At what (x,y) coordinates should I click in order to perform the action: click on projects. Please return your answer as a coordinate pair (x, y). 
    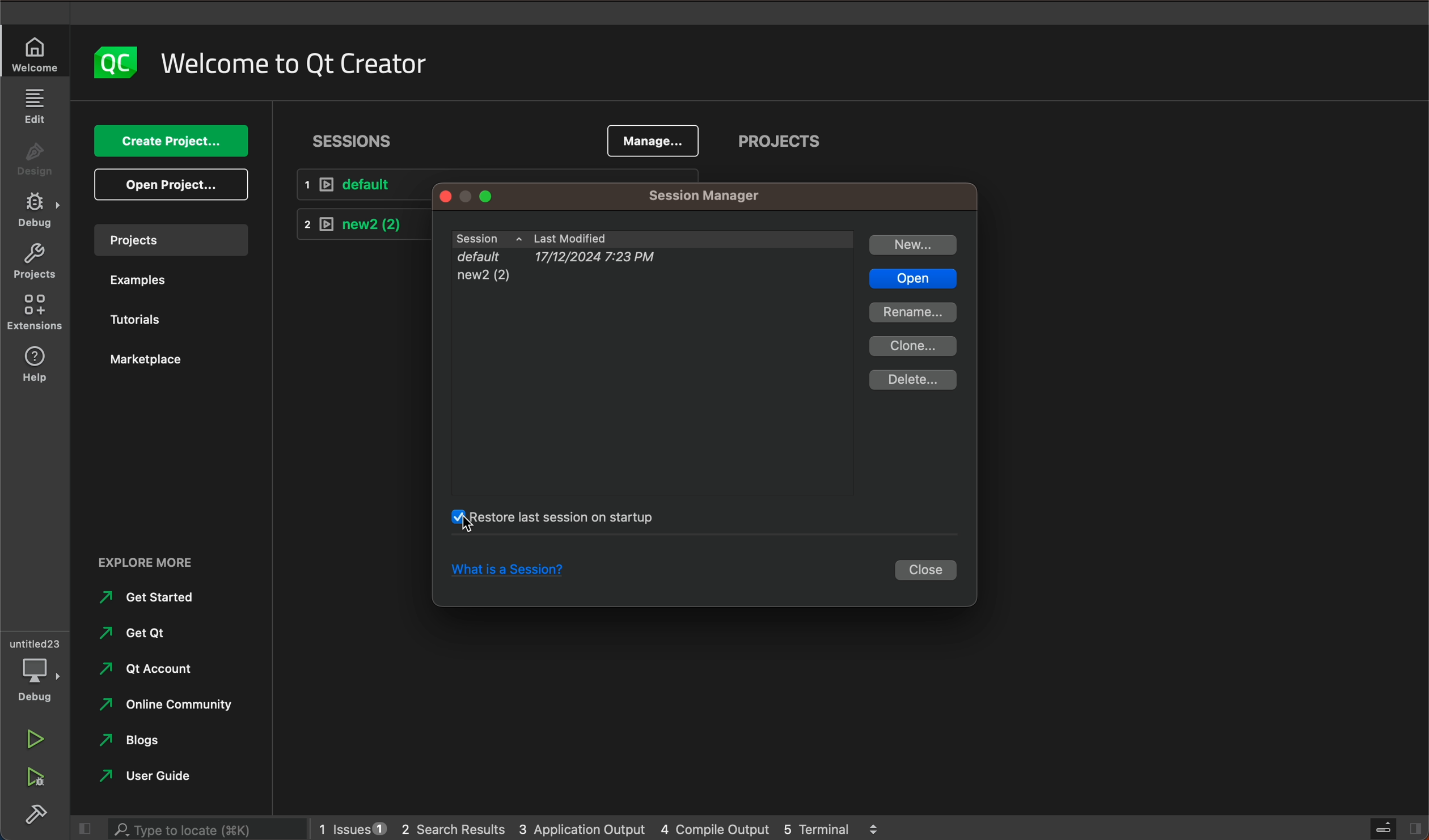
    Looking at the image, I should click on (785, 141).